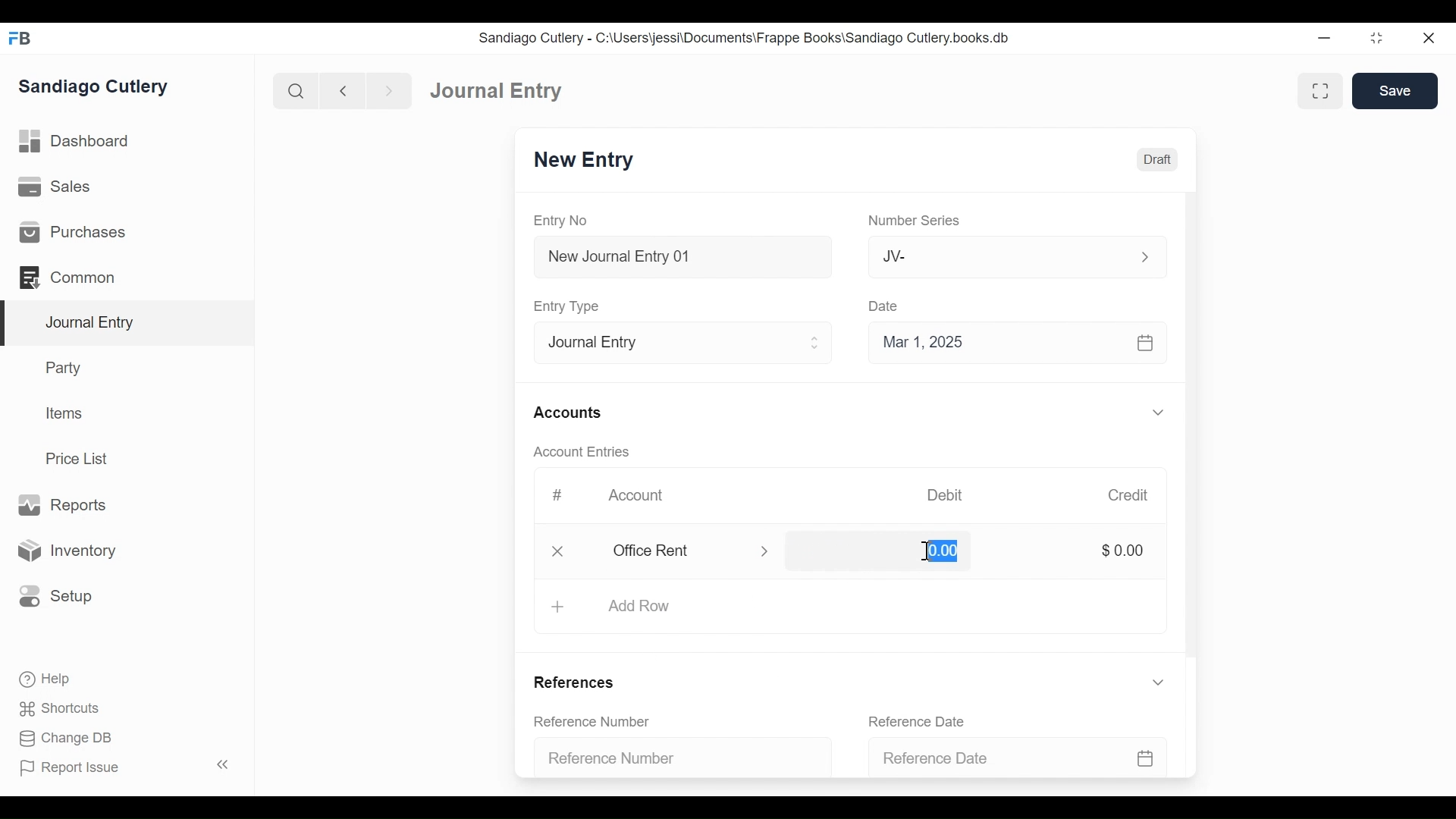 This screenshot has width=1456, height=819. I want to click on Account Entries, so click(576, 452).